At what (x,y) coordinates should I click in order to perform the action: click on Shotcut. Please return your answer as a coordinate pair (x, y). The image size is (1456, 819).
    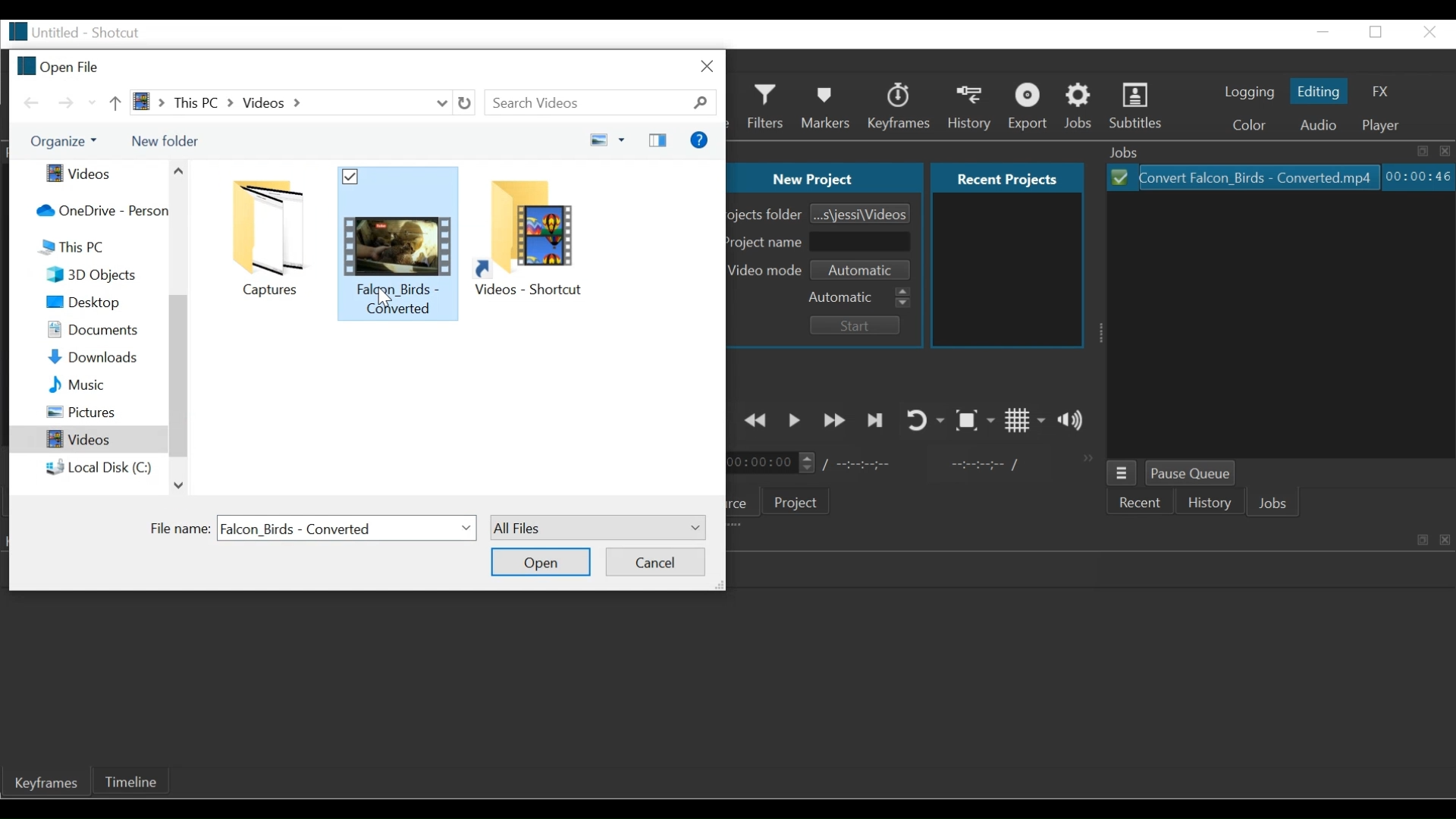
    Looking at the image, I should click on (120, 31).